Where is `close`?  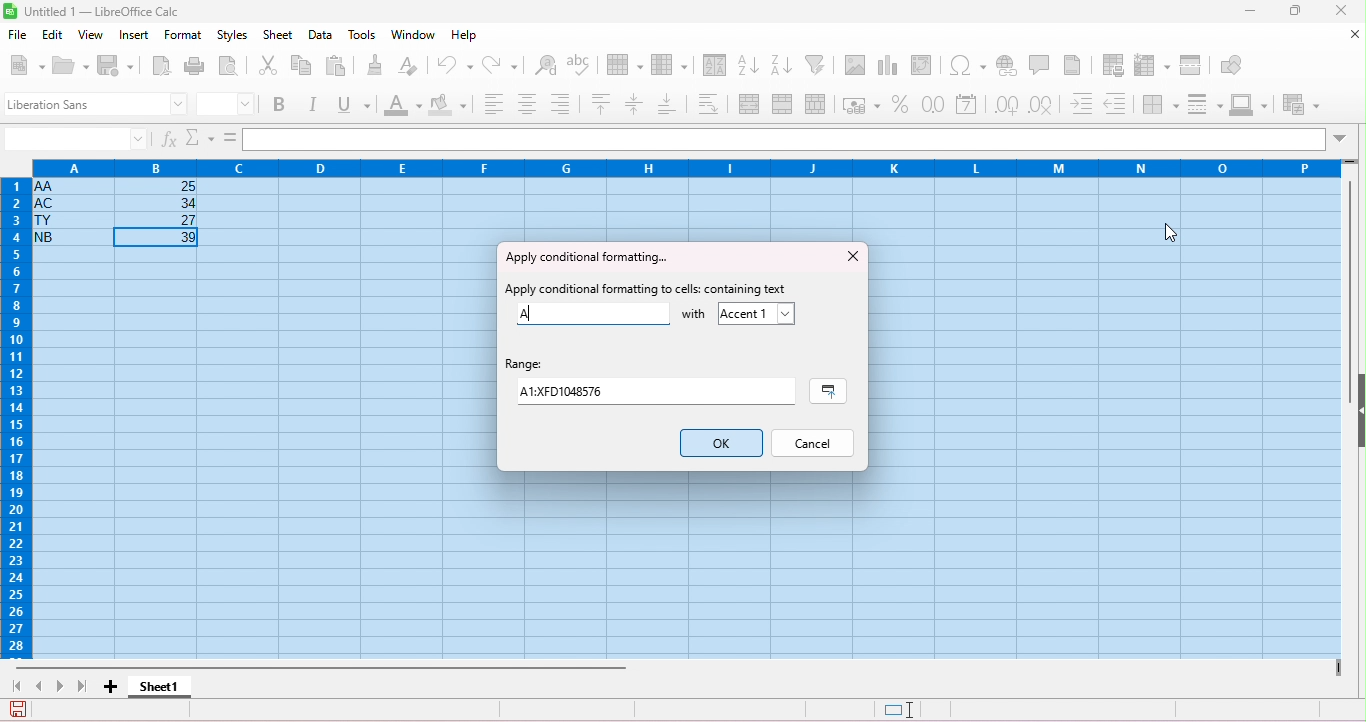
close is located at coordinates (1341, 10).